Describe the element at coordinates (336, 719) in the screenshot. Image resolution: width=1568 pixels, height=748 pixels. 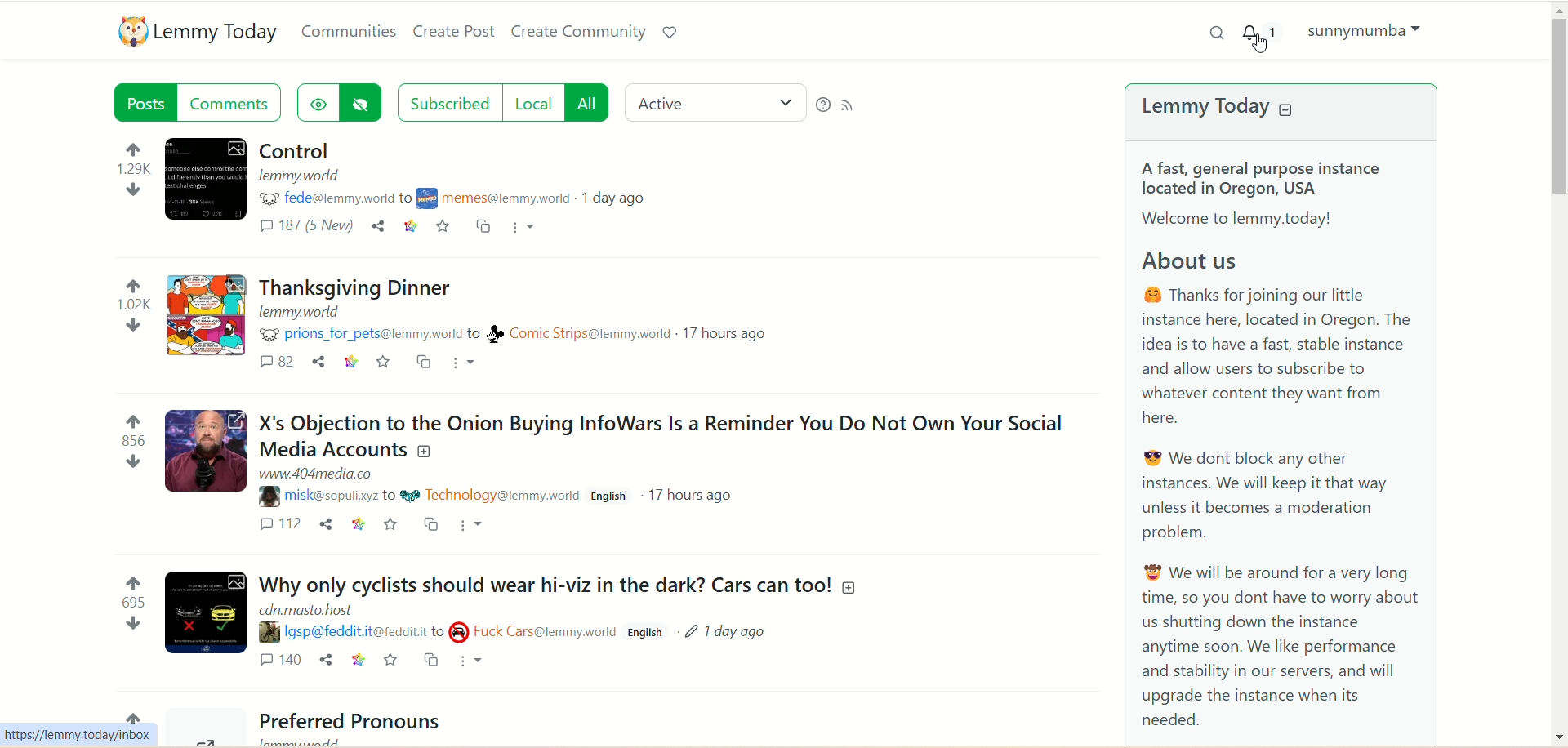
I see `Preferred Pronouns` at that location.